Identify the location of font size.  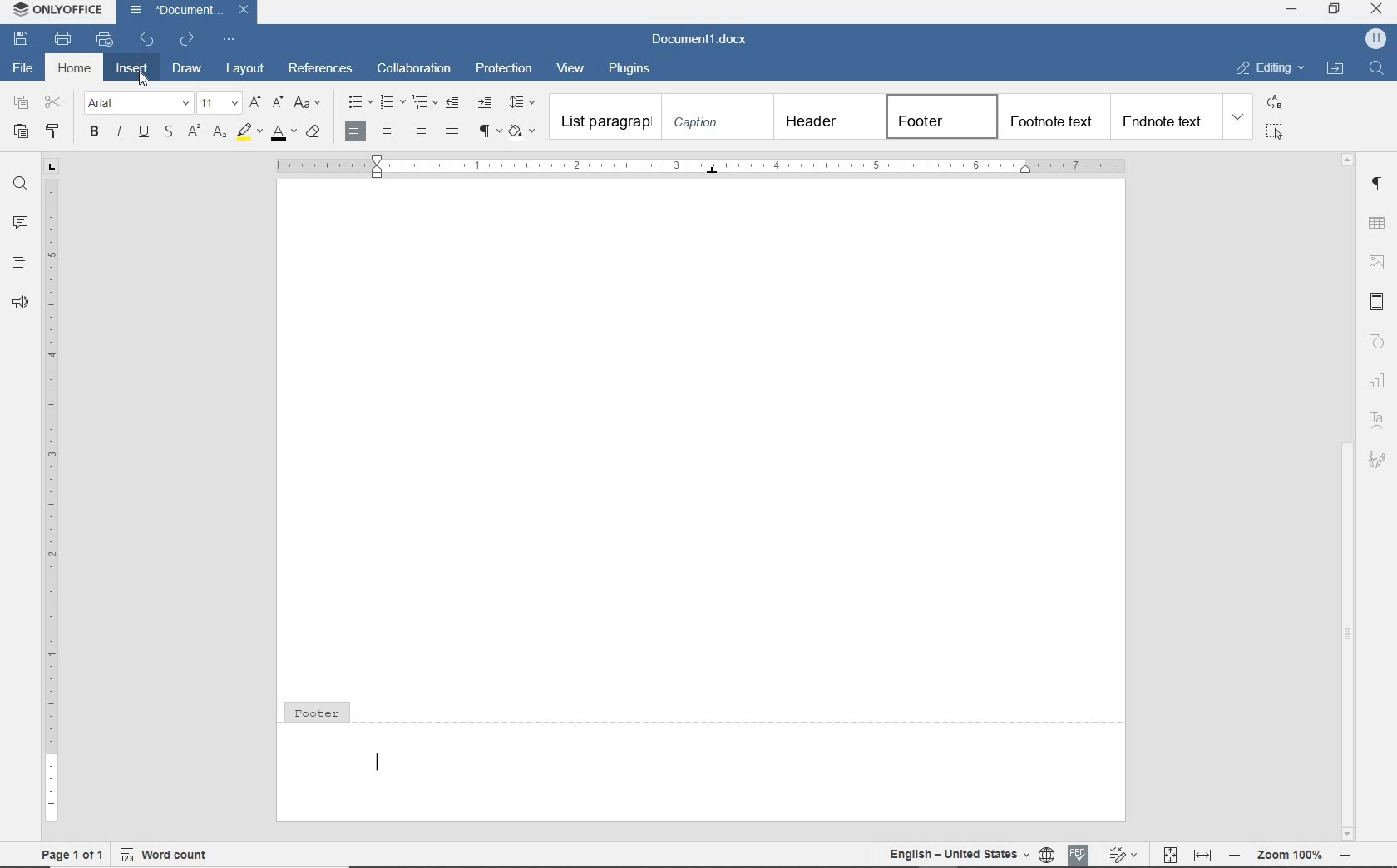
(219, 104).